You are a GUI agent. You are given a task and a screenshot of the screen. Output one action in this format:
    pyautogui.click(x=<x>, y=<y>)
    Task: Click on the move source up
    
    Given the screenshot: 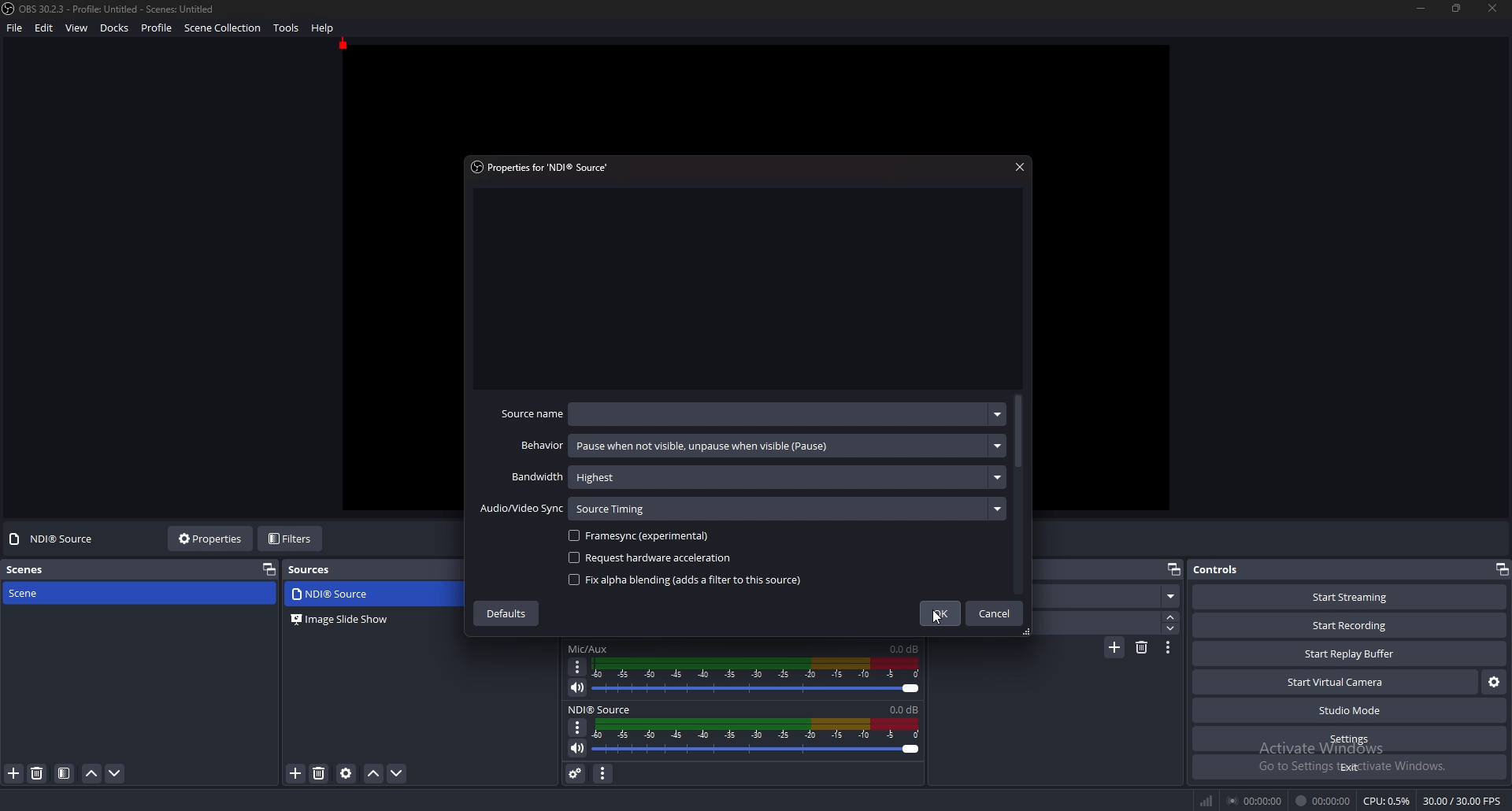 What is the action you would take?
    pyautogui.click(x=374, y=774)
    